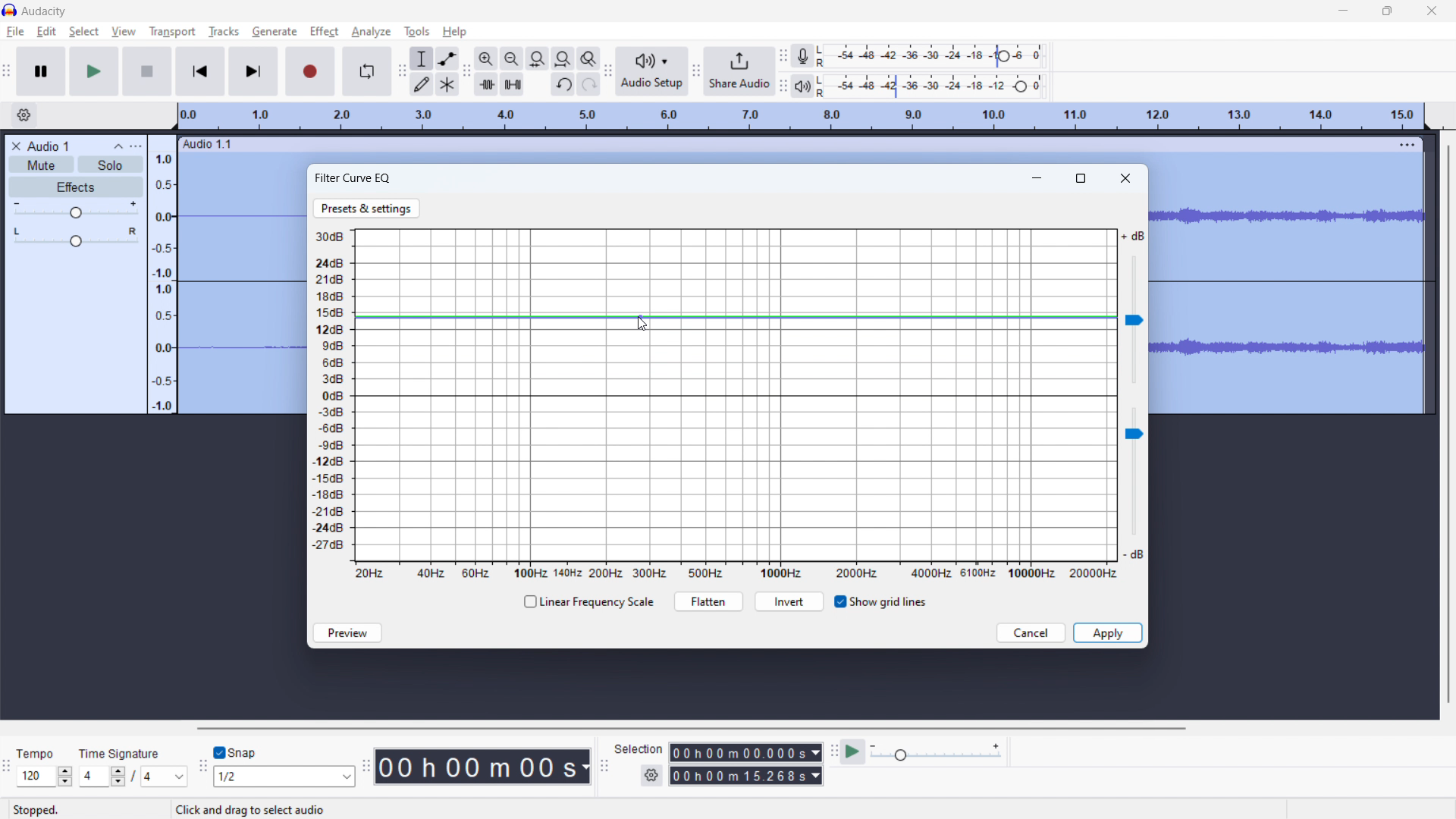  What do you see at coordinates (537, 58) in the screenshot?
I see `fit selection to width` at bounding box center [537, 58].